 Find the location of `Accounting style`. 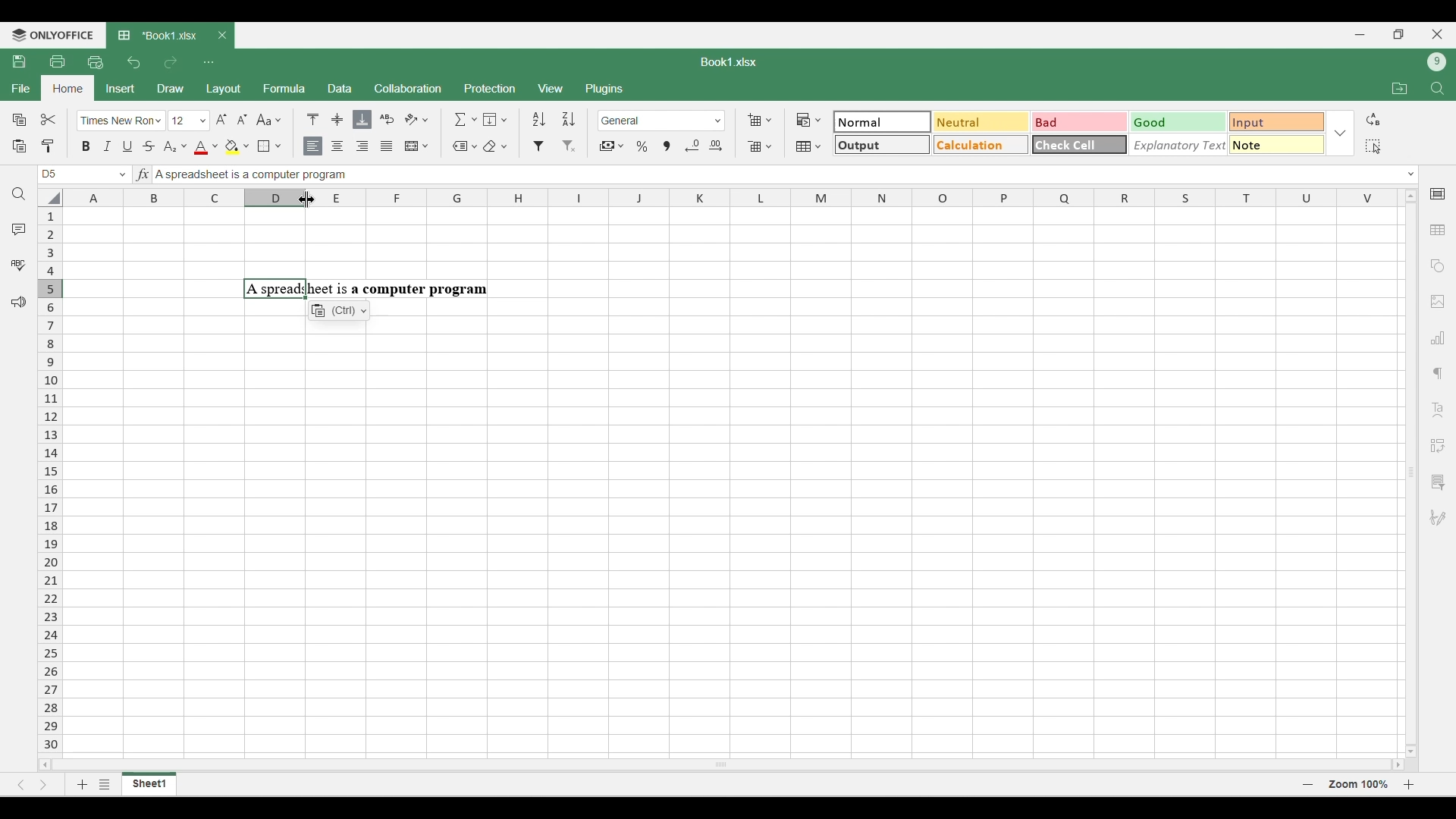

Accounting style is located at coordinates (613, 146).